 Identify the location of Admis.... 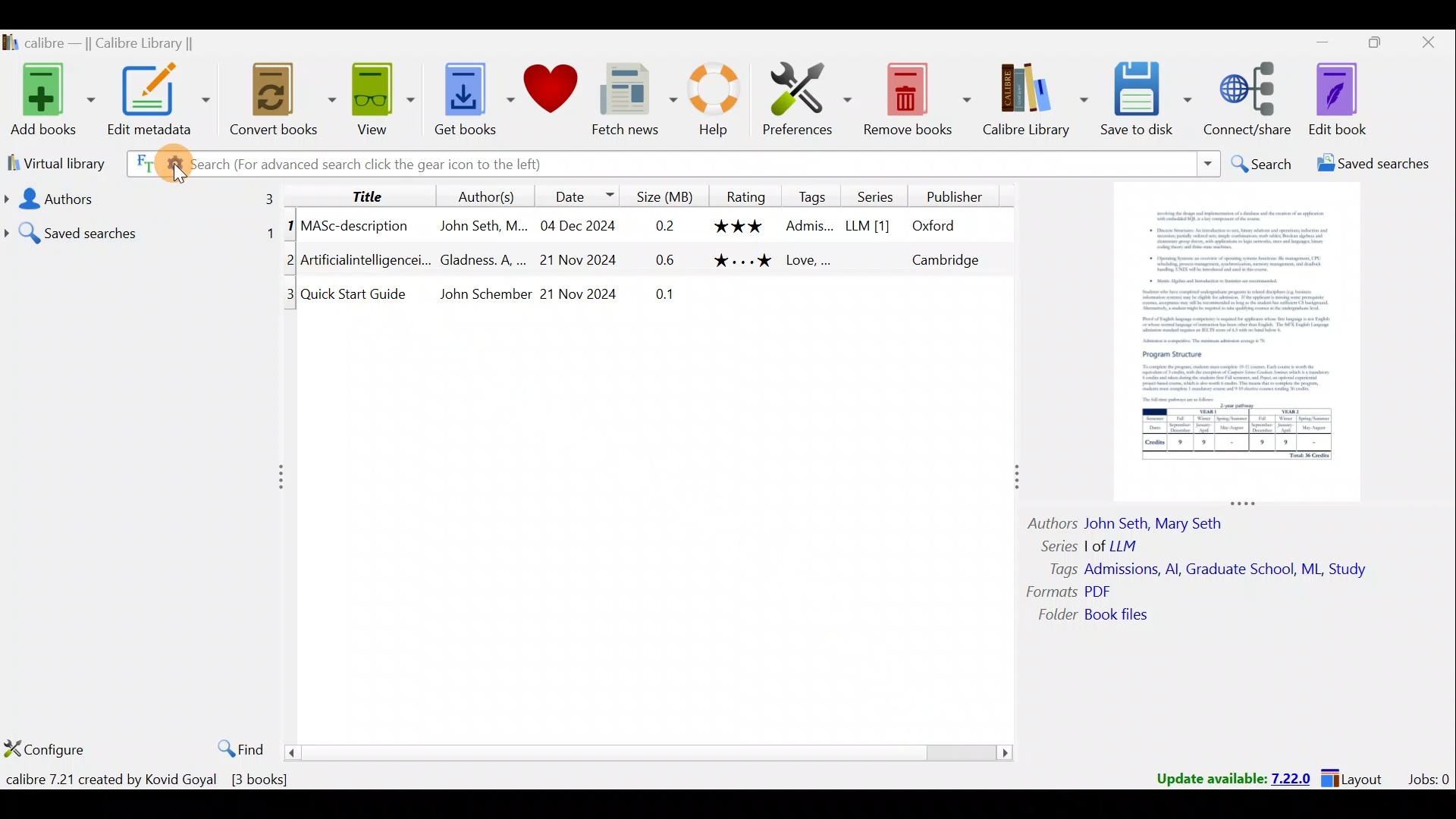
(809, 227).